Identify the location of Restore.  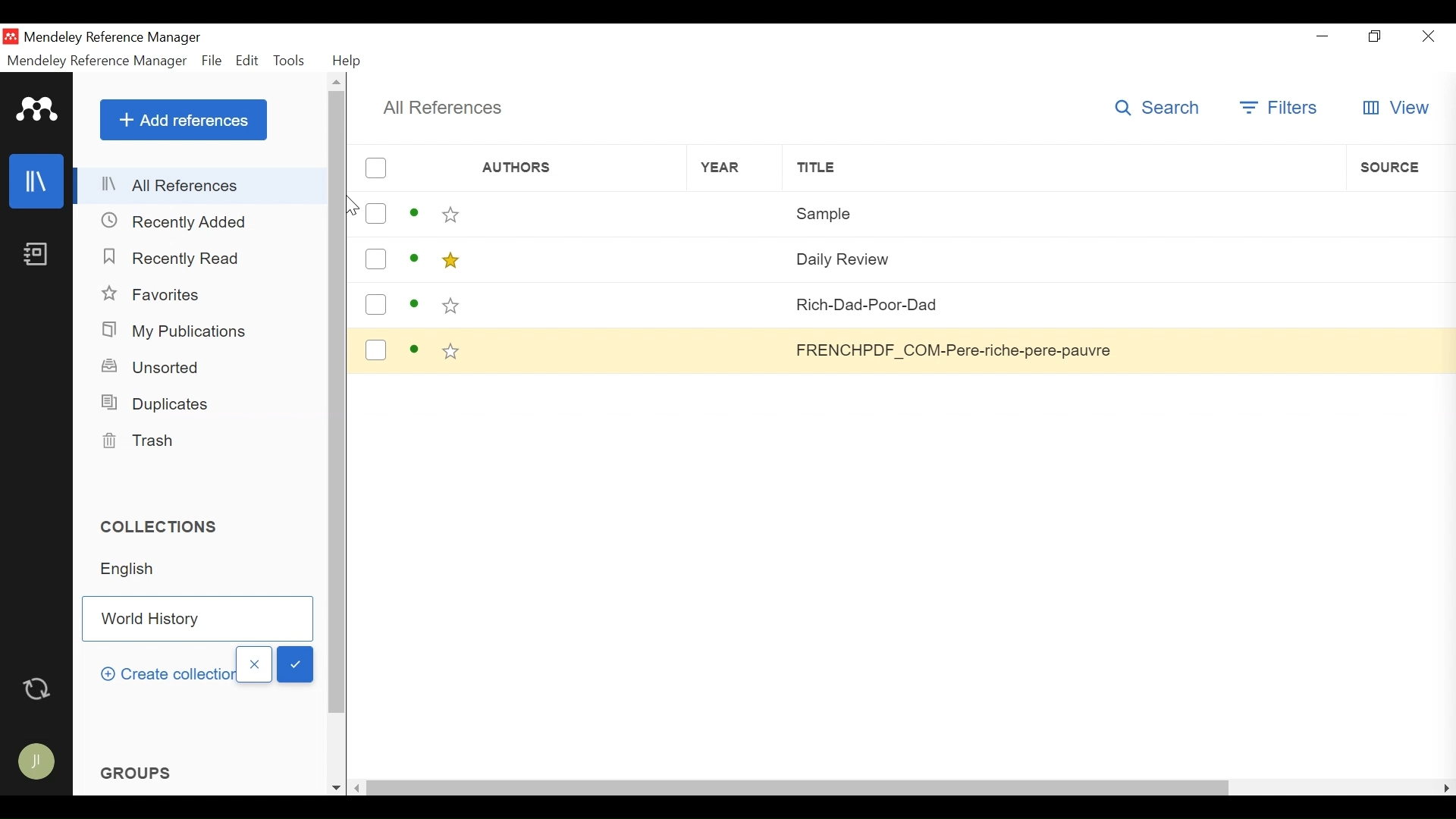
(1376, 37).